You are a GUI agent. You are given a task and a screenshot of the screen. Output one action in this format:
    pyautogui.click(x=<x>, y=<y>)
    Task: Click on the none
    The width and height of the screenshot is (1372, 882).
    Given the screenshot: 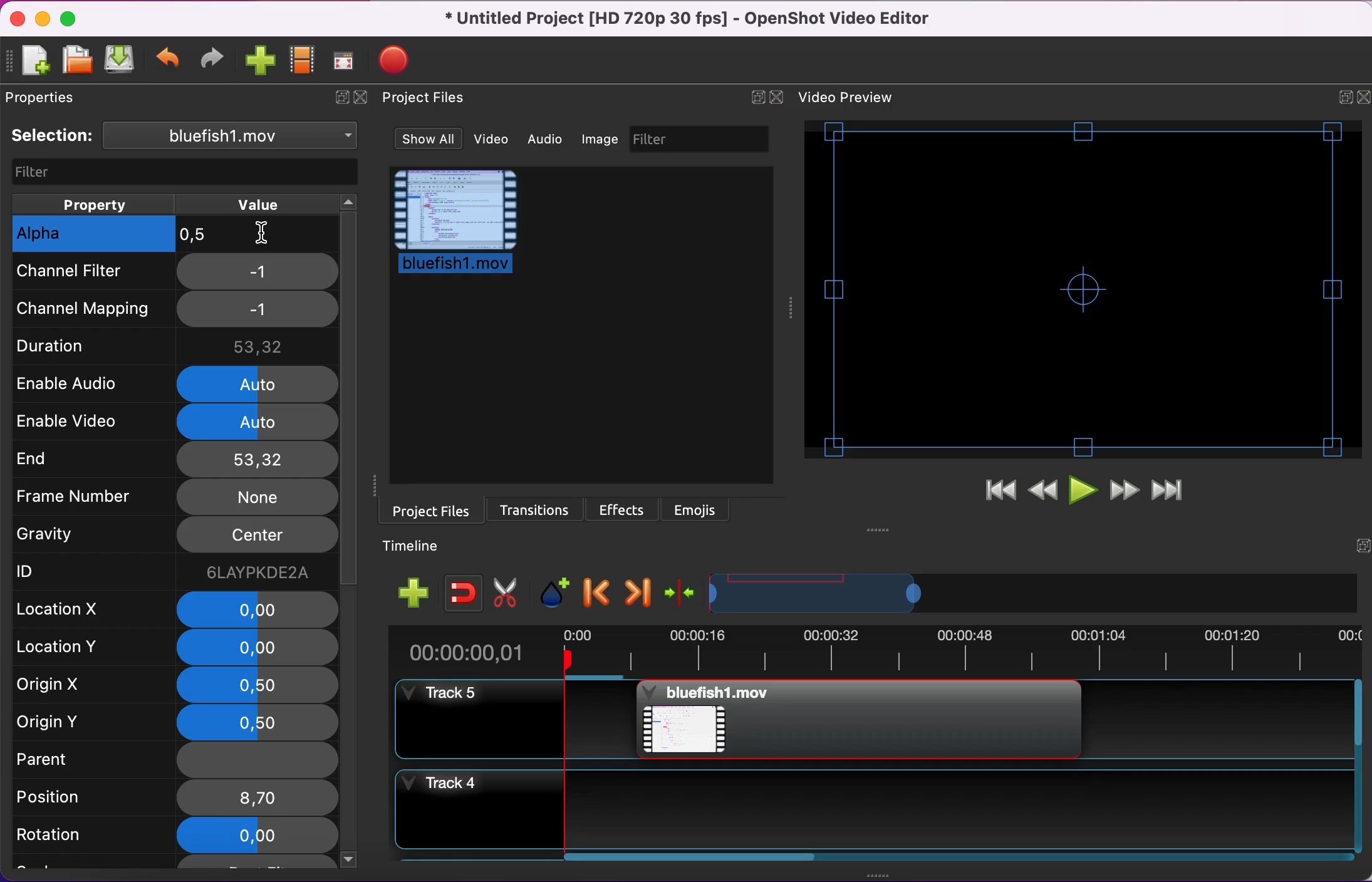 What is the action you would take?
    pyautogui.click(x=256, y=761)
    